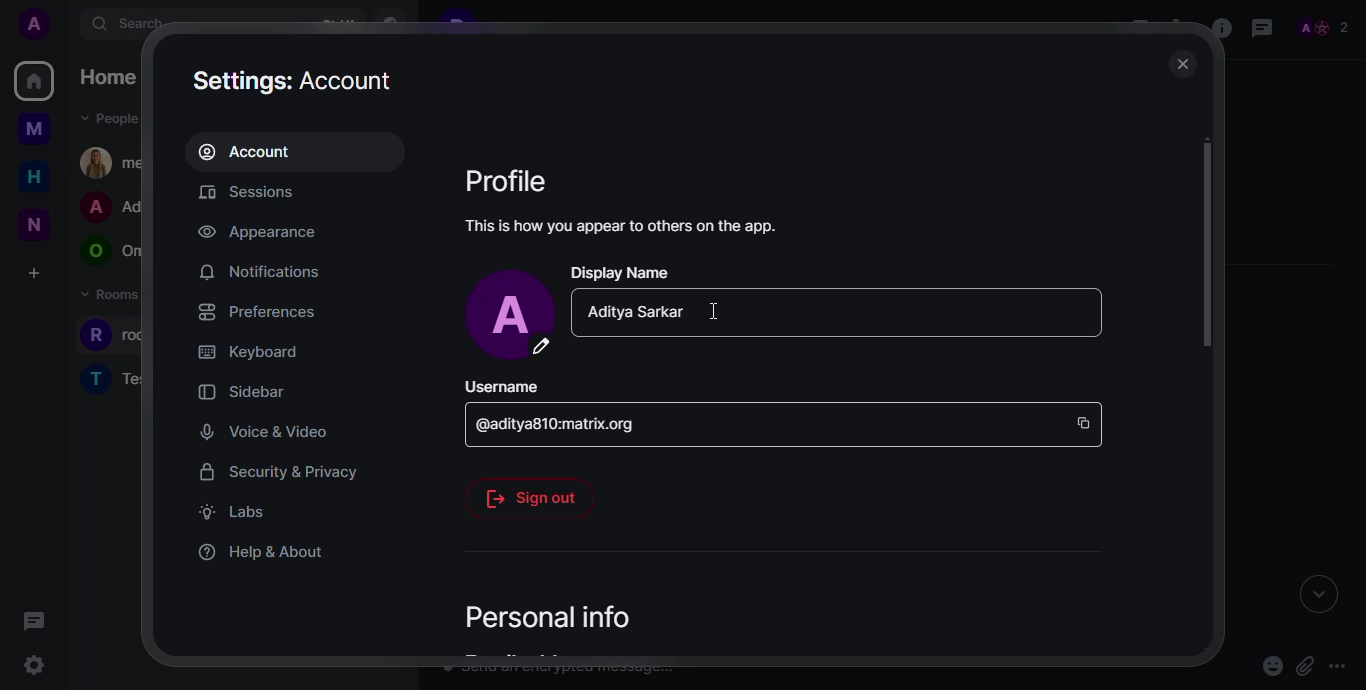  What do you see at coordinates (502, 388) in the screenshot?
I see `username` at bounding box center [502, 388].